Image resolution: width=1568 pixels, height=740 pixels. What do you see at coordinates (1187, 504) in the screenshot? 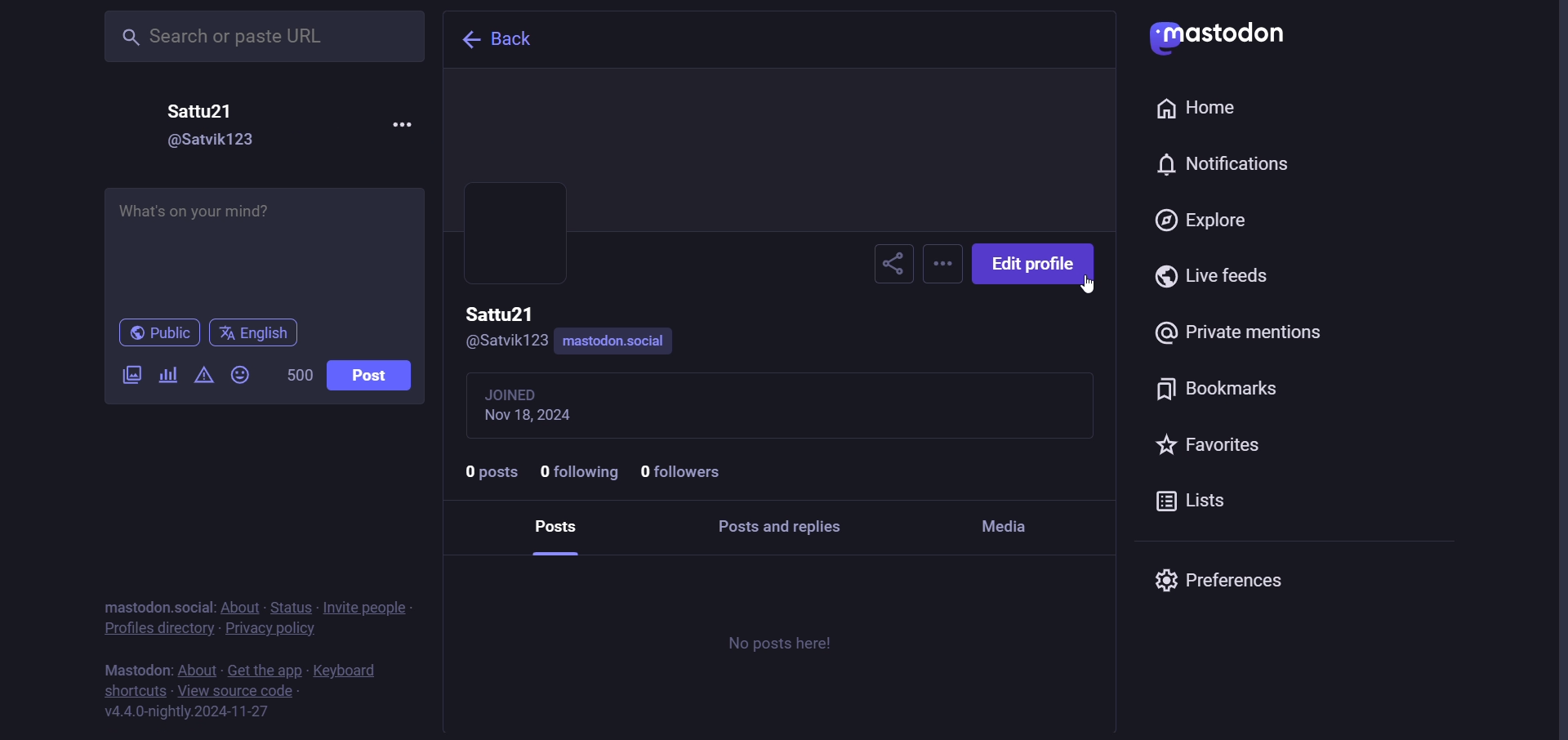
I see `lists` at bounding box center [1187, 504].